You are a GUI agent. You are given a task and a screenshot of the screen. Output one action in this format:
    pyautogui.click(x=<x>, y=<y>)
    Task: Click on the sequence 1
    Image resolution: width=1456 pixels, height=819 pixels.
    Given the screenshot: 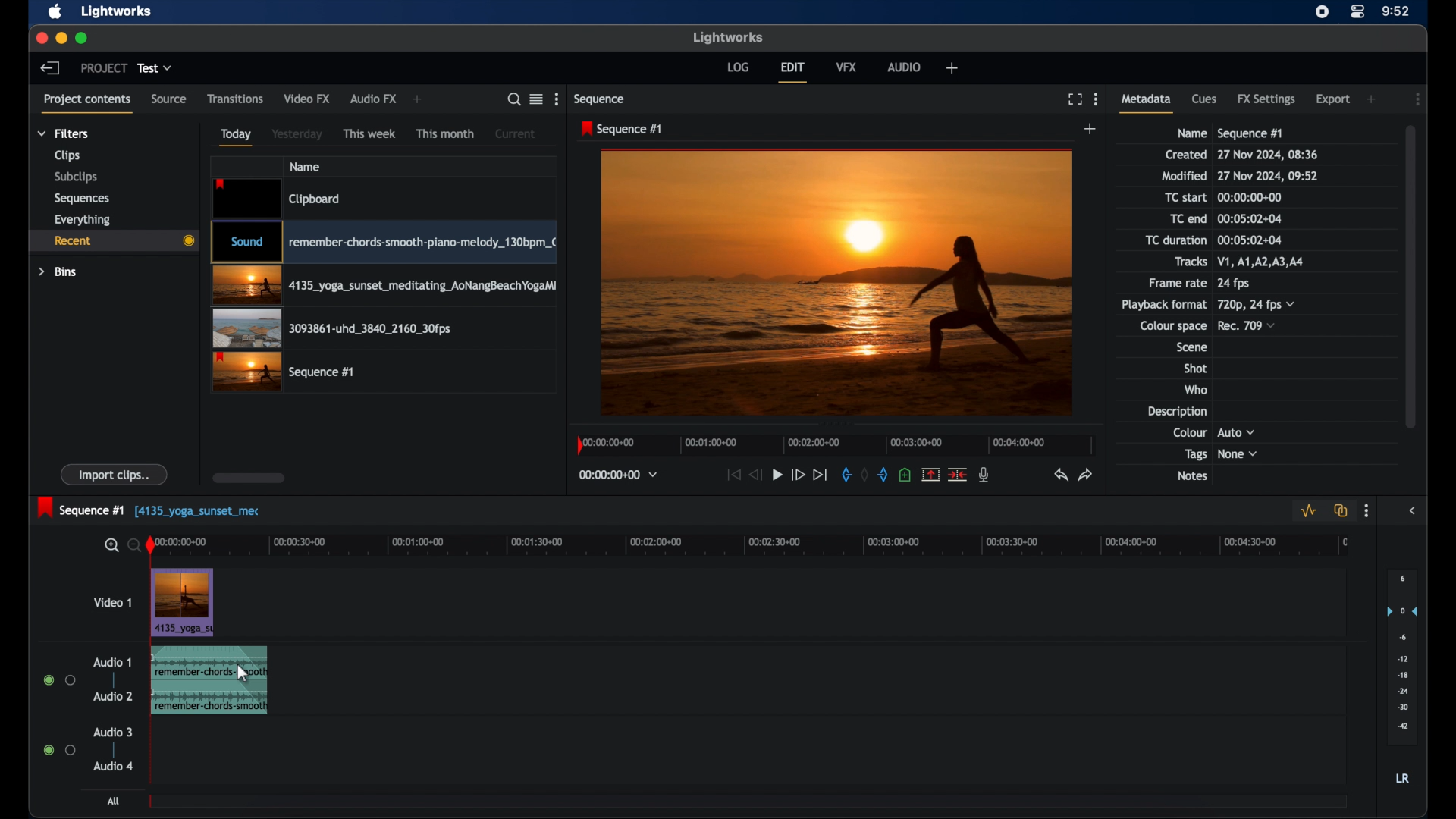 What is the action you would take?
    pyautogui.click(x=150, y=508)
    